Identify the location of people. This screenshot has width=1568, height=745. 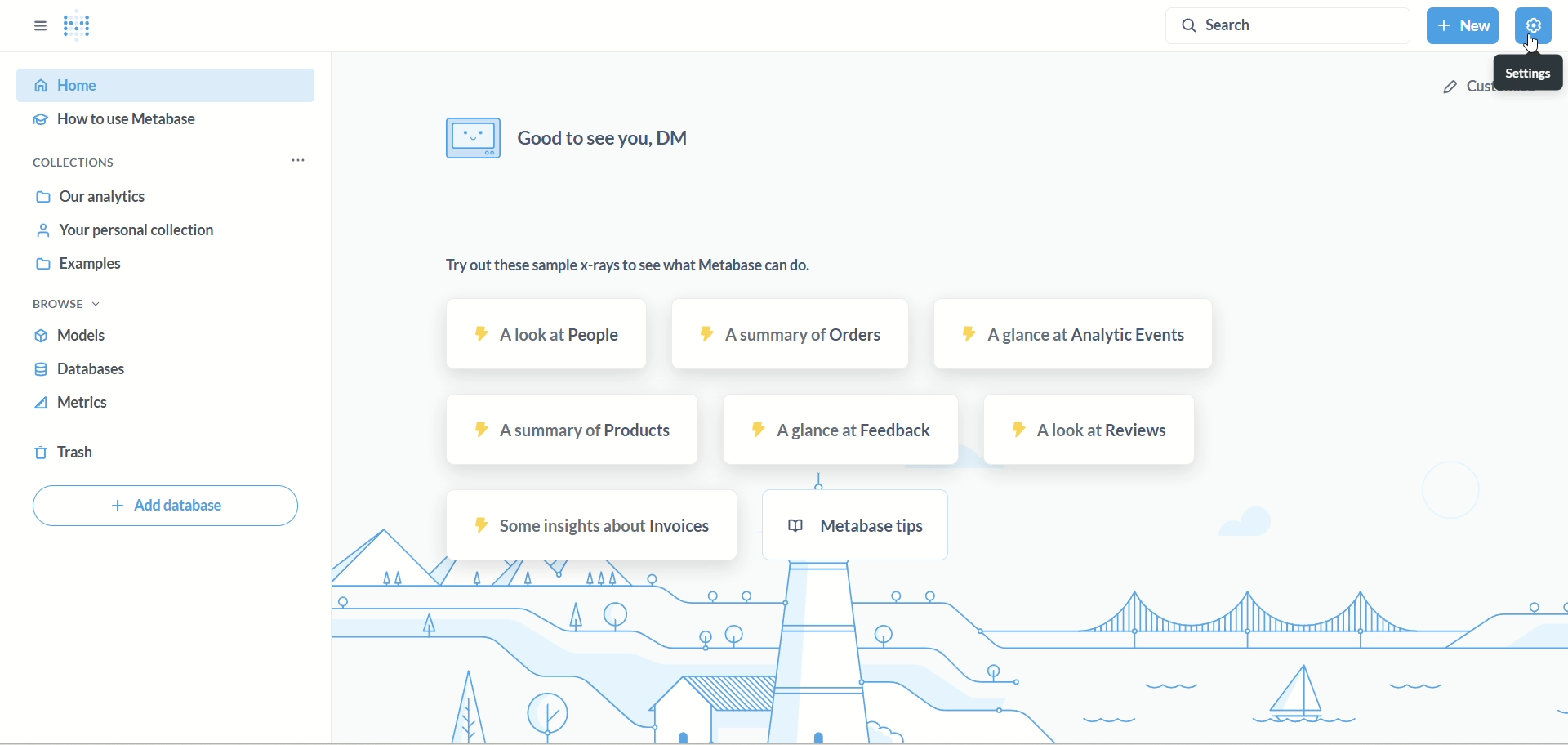
(550, 333).